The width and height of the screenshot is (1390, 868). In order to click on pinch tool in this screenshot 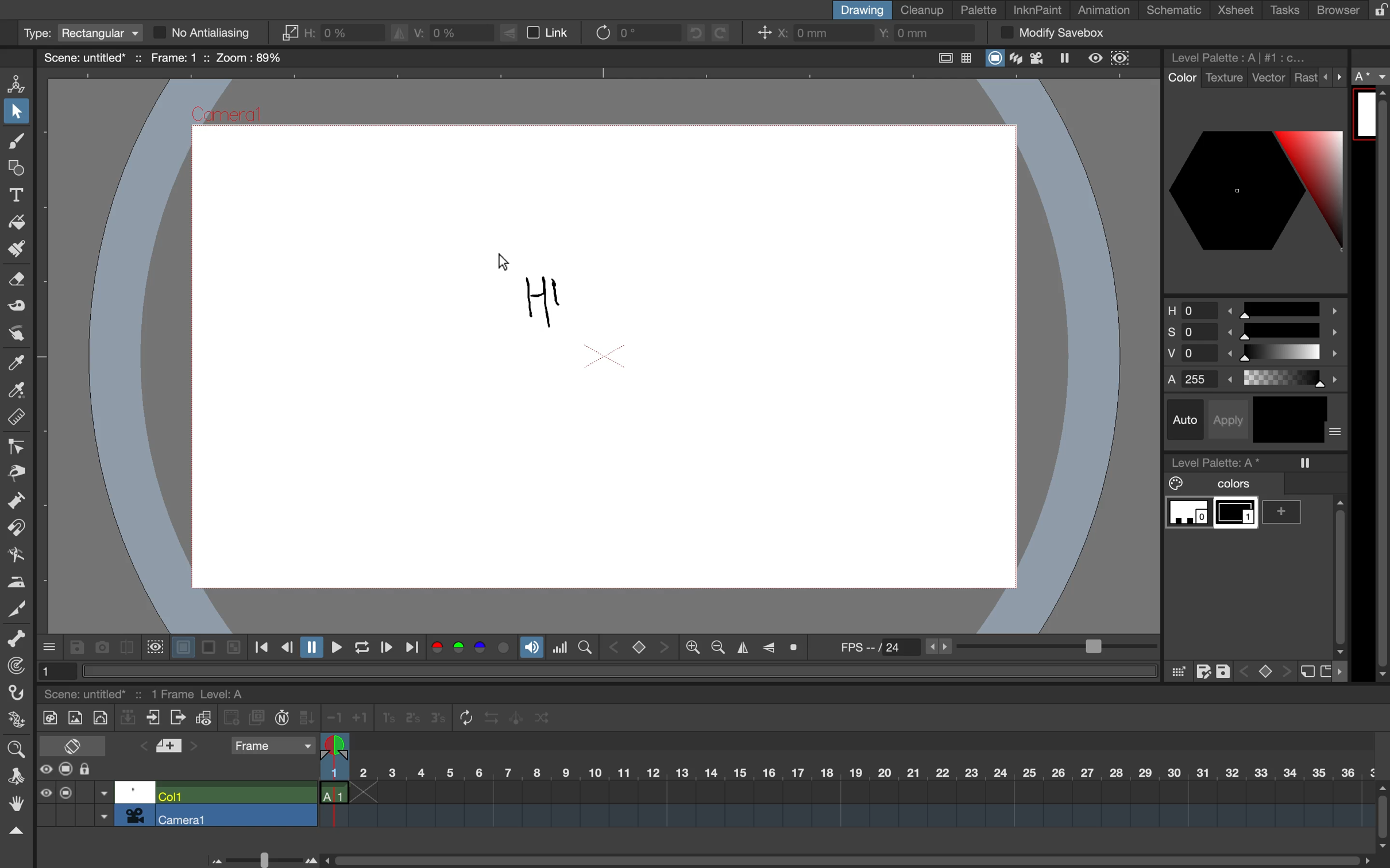, I will do `click(17, 472)`.